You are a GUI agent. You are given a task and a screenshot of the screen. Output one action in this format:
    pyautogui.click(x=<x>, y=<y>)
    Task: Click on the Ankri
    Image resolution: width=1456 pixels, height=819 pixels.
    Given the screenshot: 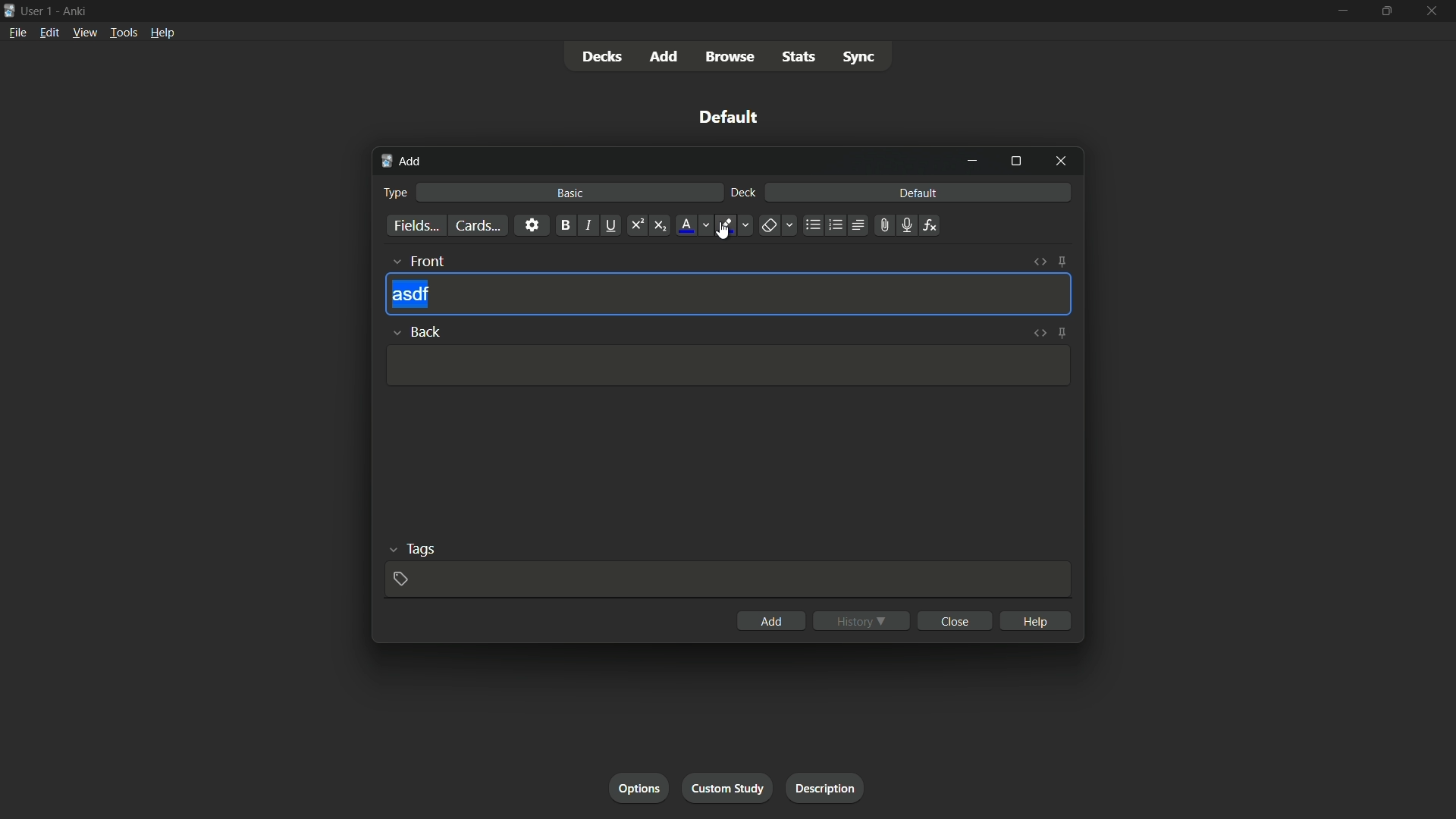 What is the action you would take?
    pyautogui.click(x=72, y=10)
    